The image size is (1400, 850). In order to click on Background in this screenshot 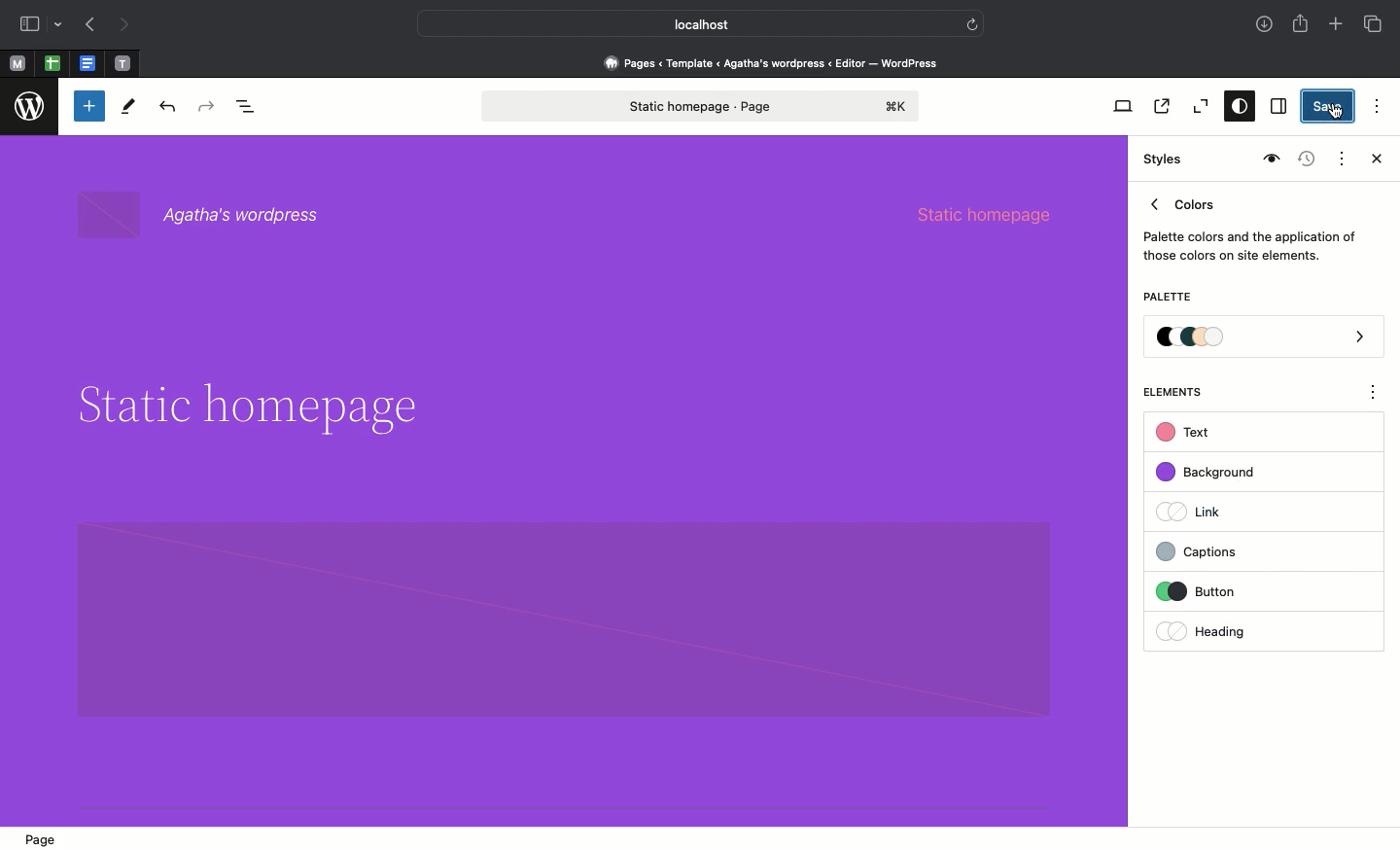, I will do `click(1215, 473)`.